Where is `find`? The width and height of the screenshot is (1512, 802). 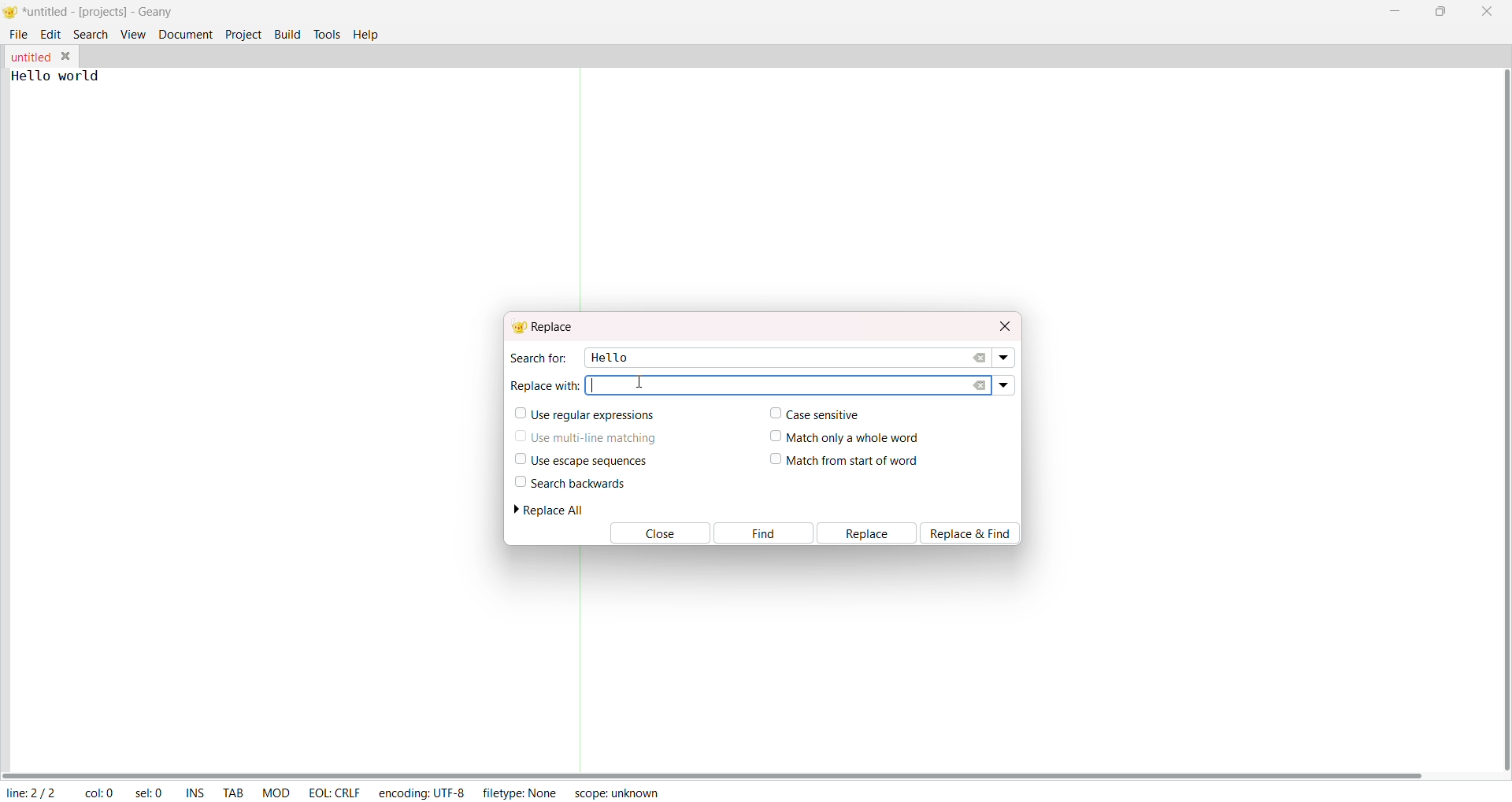 find is located at coordinates (763, 533).